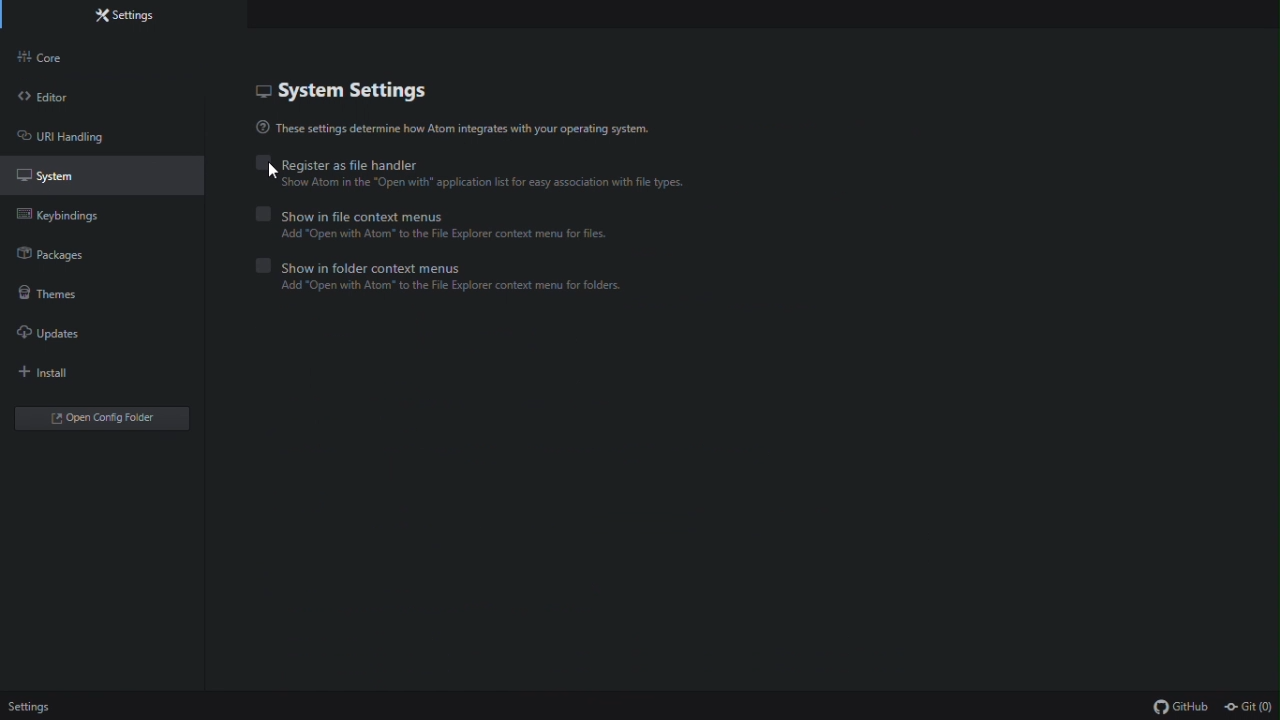 The image size is (1280, 720). Describe the element at coordinates (128, 18) in the screenshot. I see `Settings` at that location.